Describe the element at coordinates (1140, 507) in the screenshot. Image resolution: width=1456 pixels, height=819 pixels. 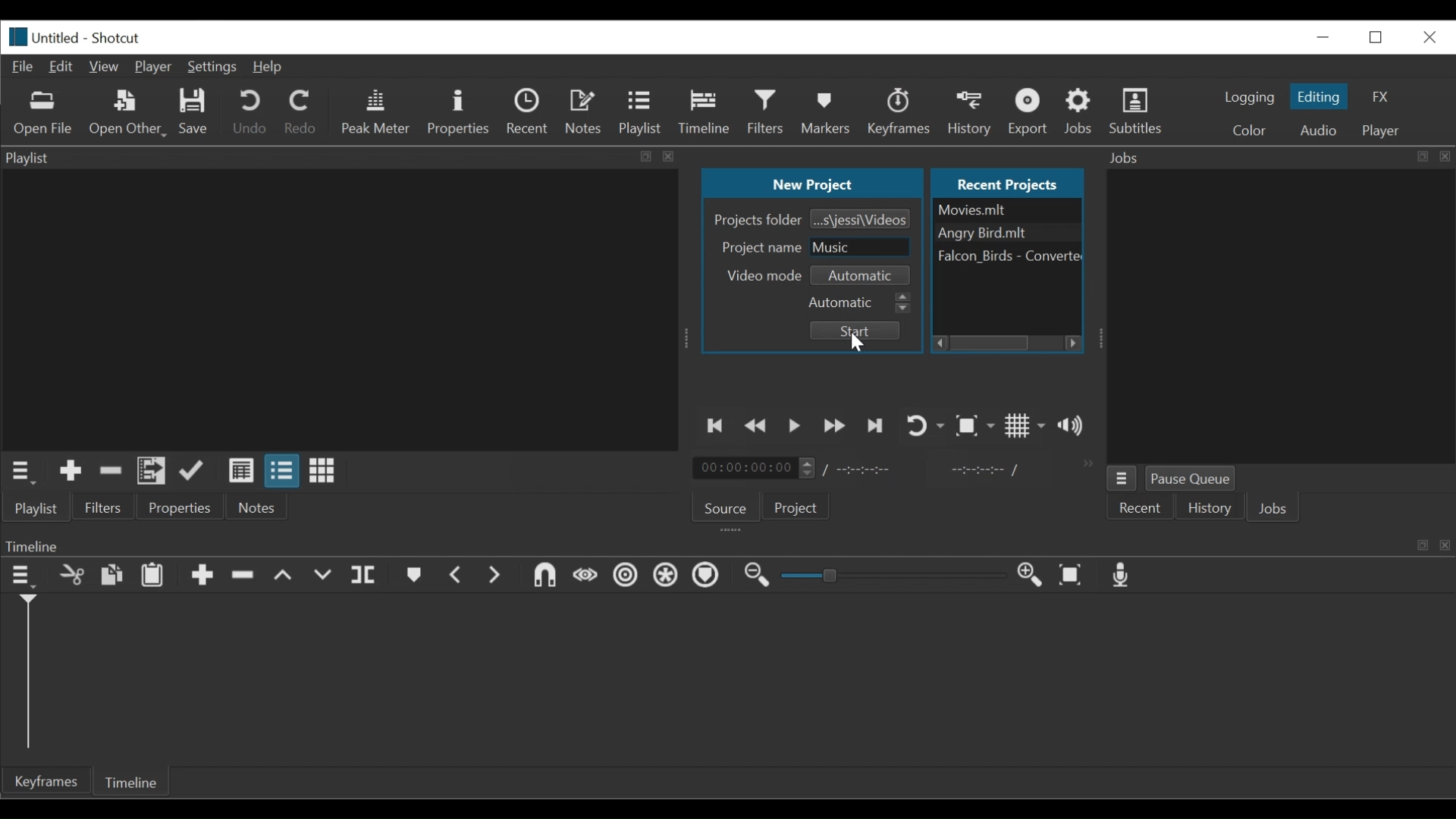
I see `Recent` at that location.